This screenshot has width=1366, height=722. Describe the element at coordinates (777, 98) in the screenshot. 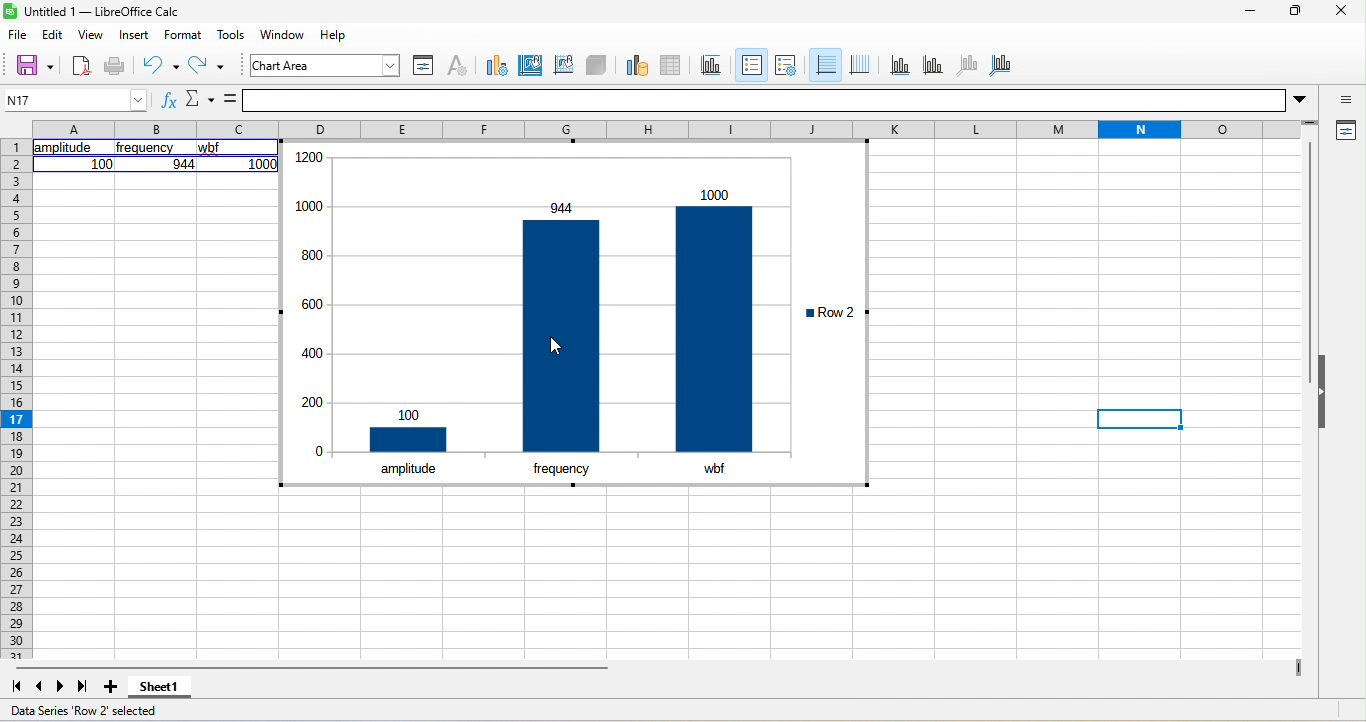

I see `formula bar` at that location.